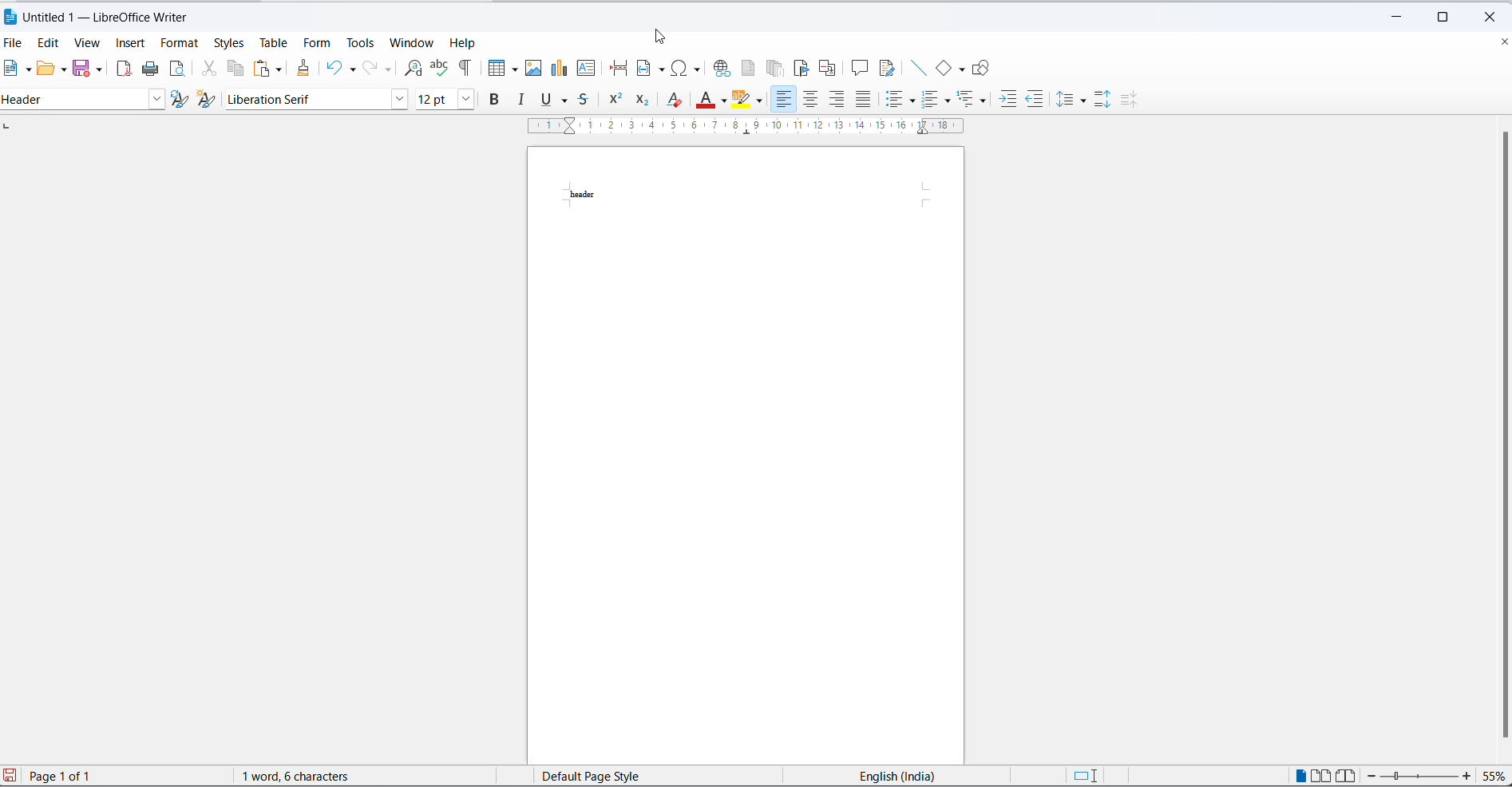  I want to click on print preview, so click(177, 70).